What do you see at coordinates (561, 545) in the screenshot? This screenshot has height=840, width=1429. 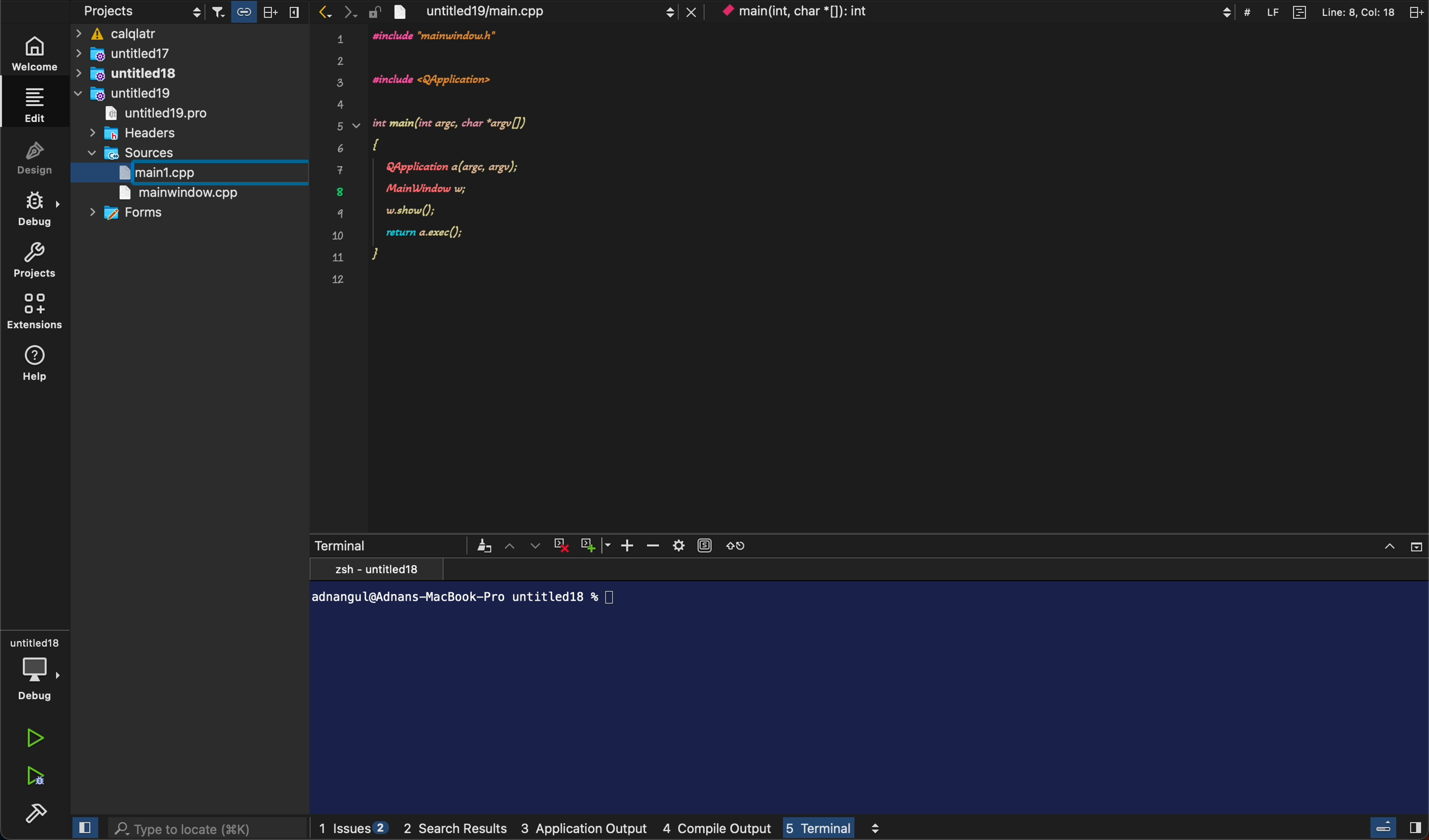 I see `Close Terminal` at bounding box center [561, 545].